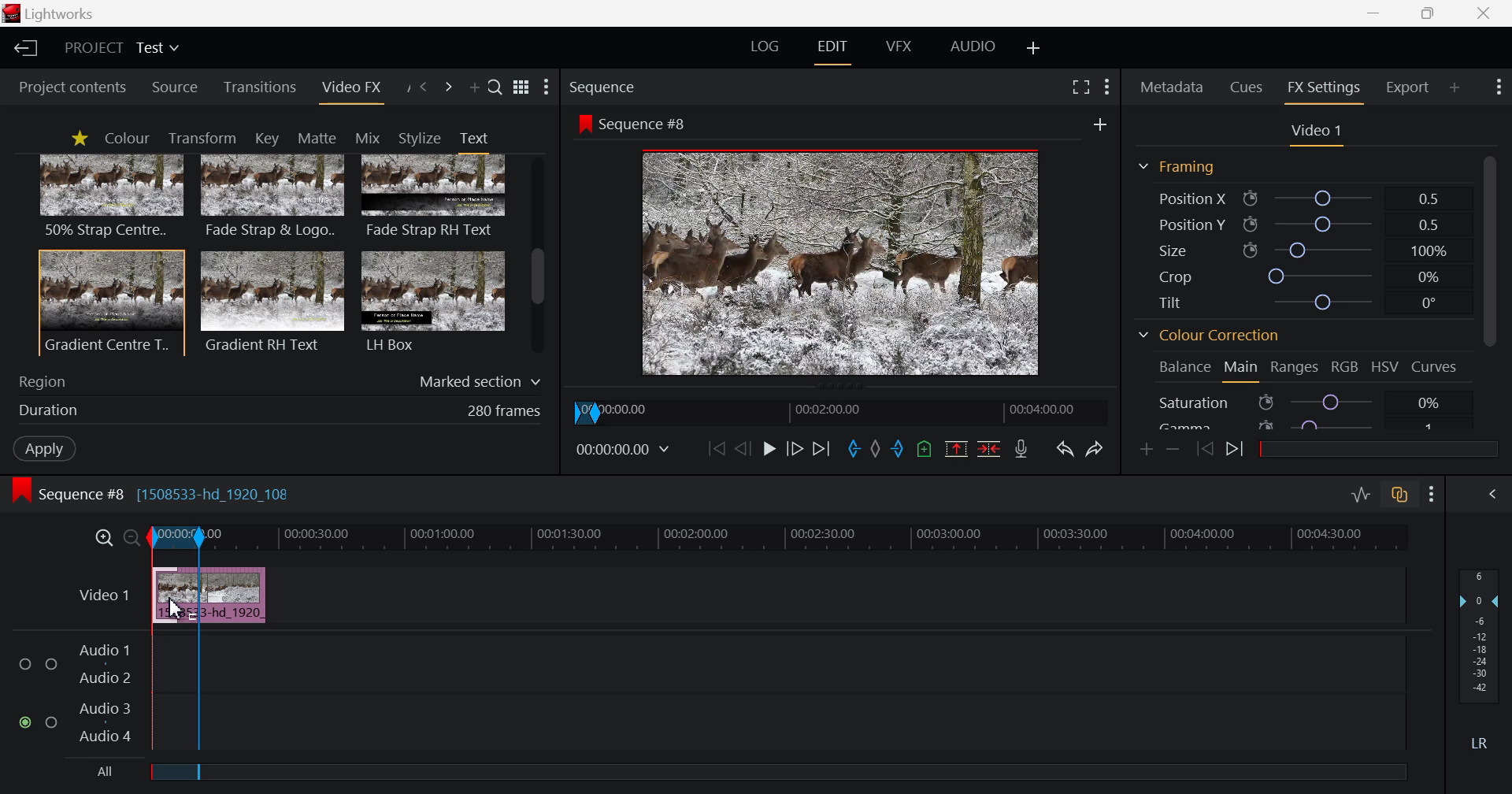 The height and width of the screenshot is (794, 1512). Describe the element at coordinates (769, 450) in the screenshot. I see `Play` at that location.